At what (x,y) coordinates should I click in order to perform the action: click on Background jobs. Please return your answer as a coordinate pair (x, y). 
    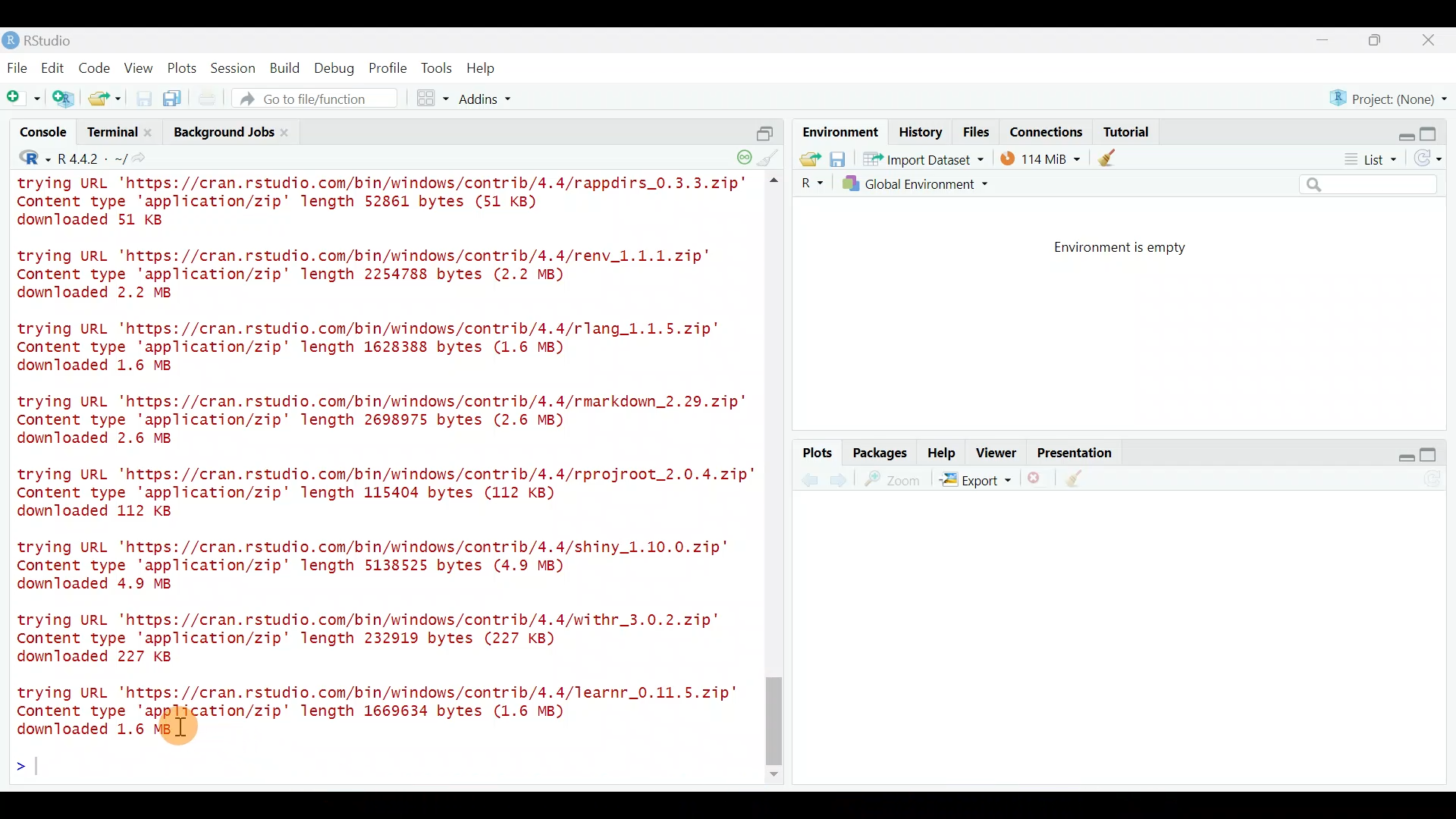
    Looking at the image, I should click on (221, 132).